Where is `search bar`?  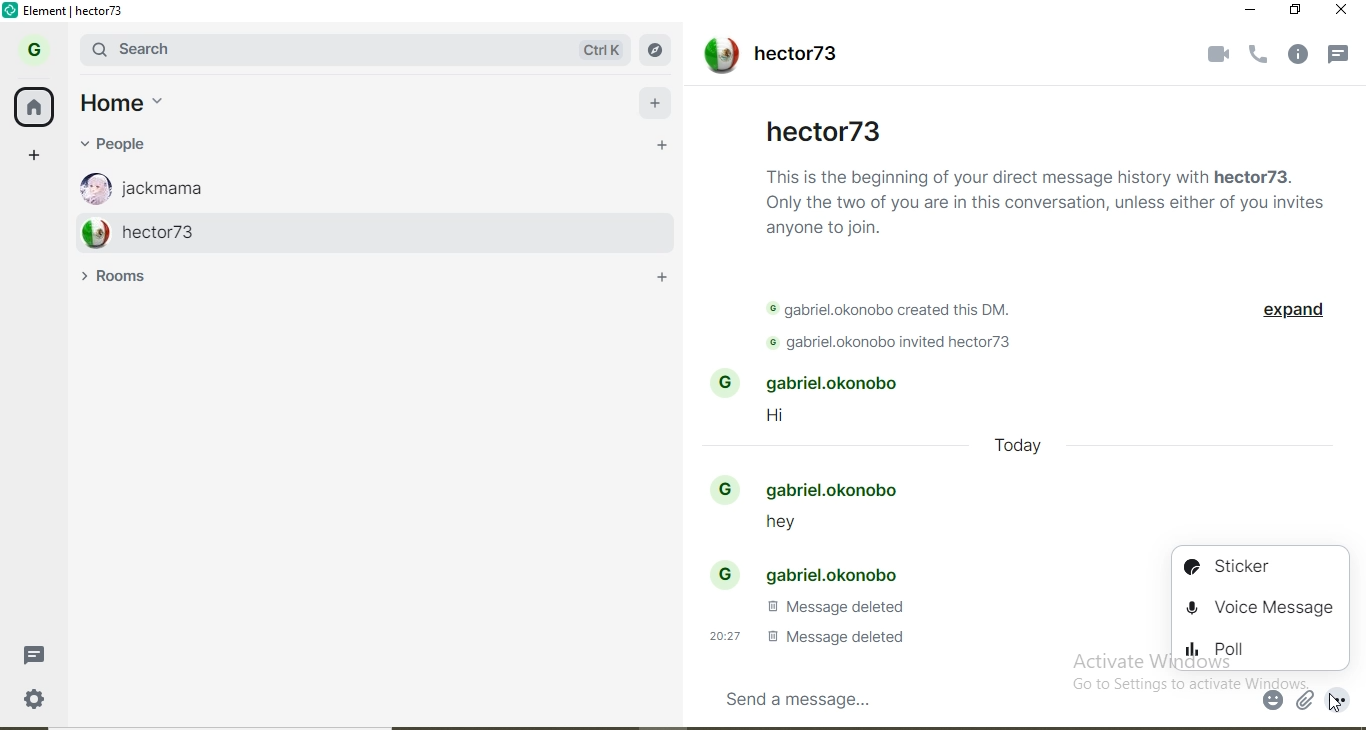 search bar is located at coordinates (307, 49).